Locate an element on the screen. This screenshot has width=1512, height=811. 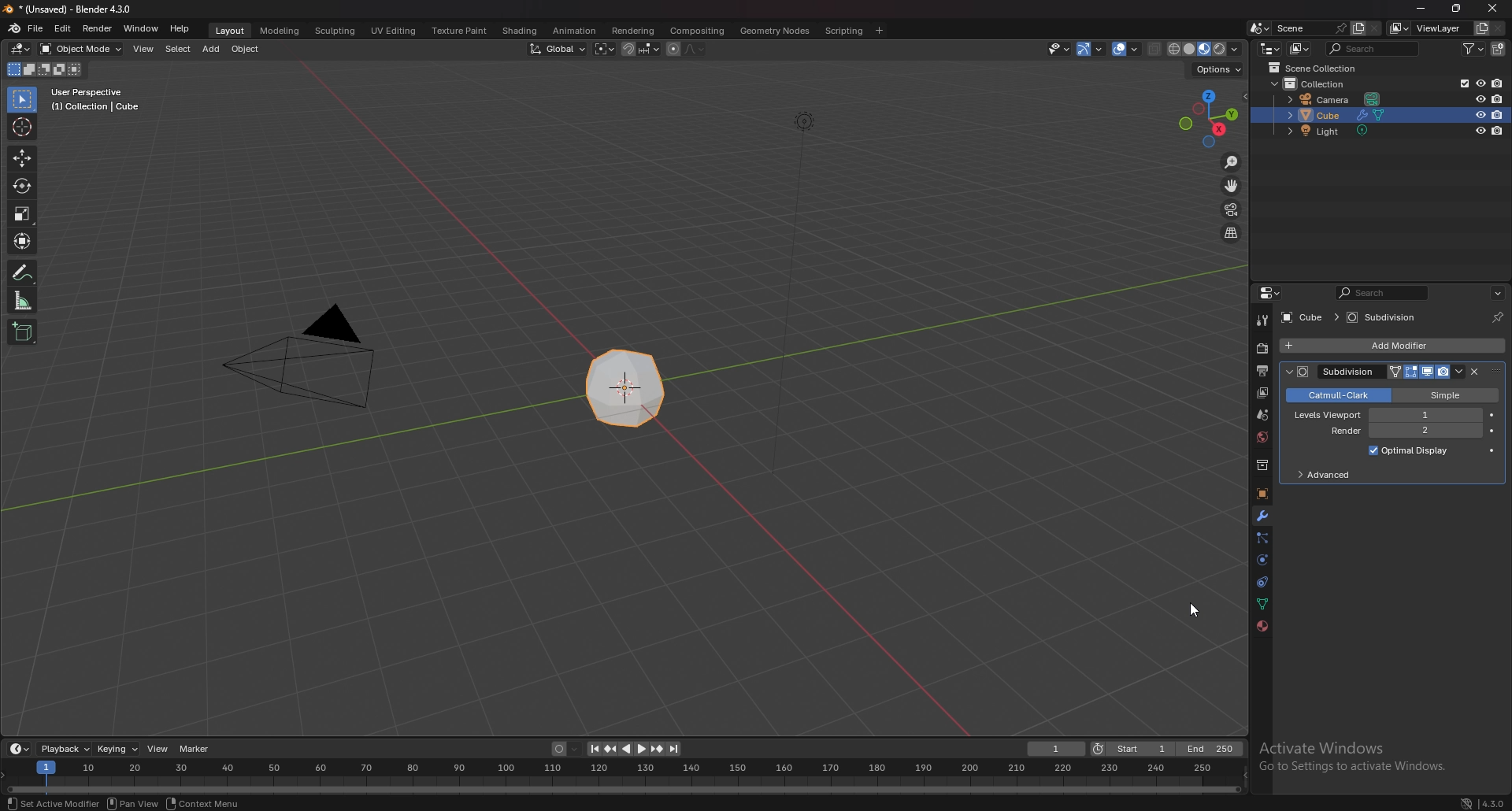
scripting is located at coordinates (843, 31).